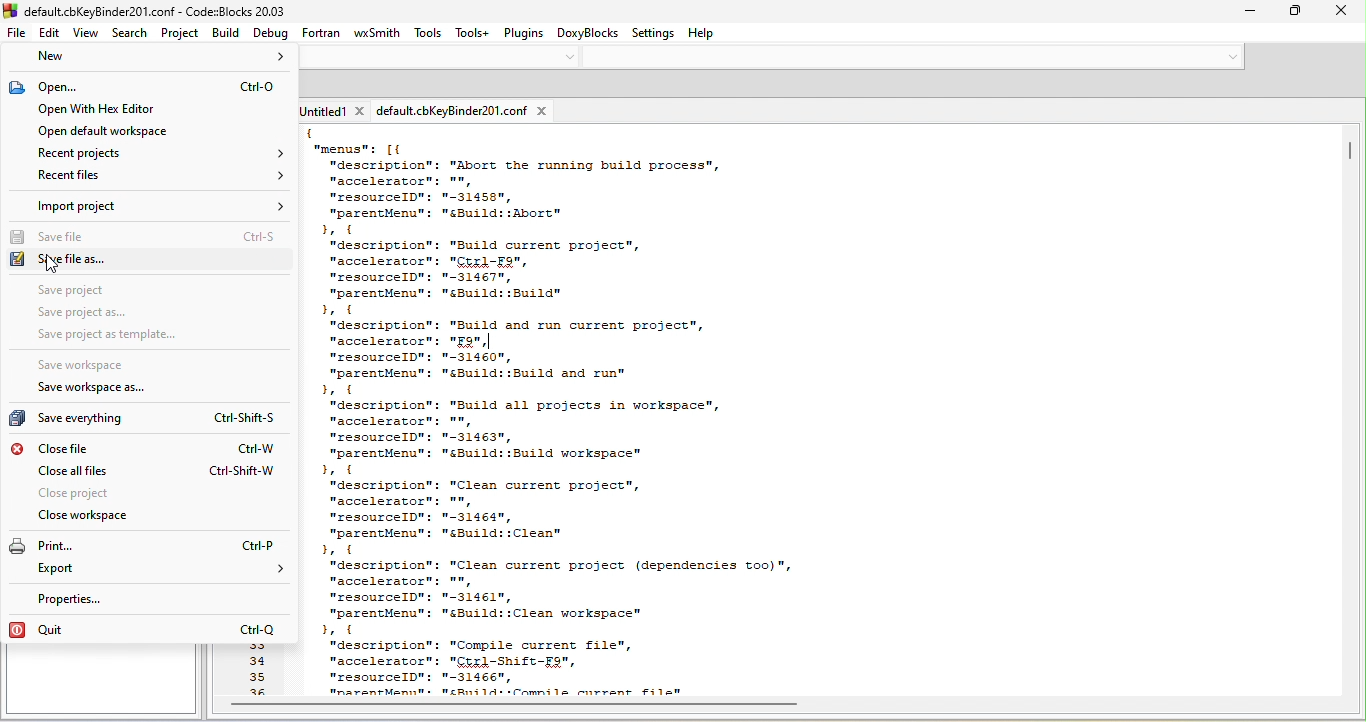 The width and height of the screenshot is (1366, 722). What do you see at coordinates (53, 266) in the screenshot?
I see `cursor movement` at bounding box center [53, 266].